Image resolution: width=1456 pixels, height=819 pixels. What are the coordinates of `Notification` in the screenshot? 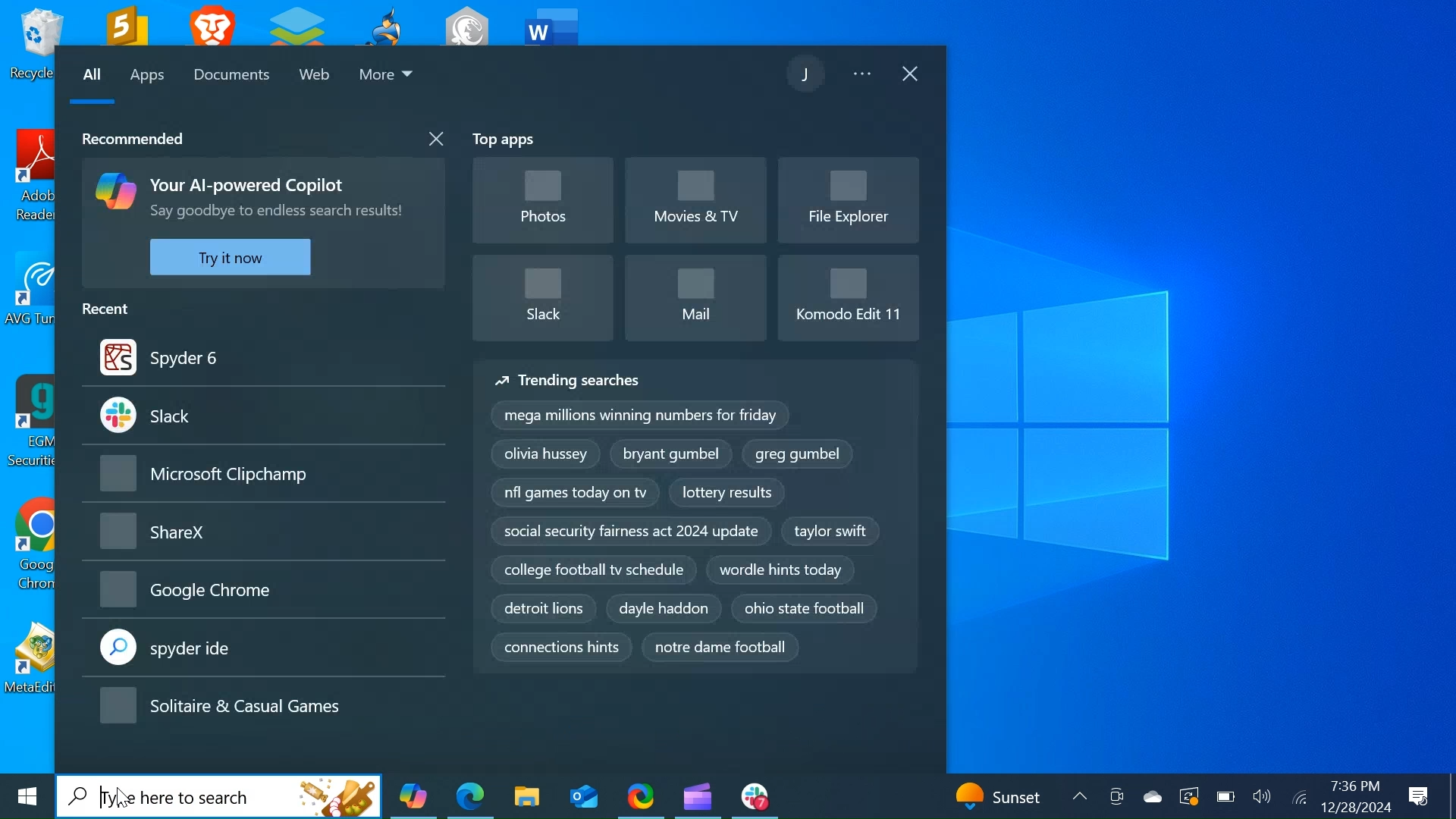 It's located at (1419, 795).